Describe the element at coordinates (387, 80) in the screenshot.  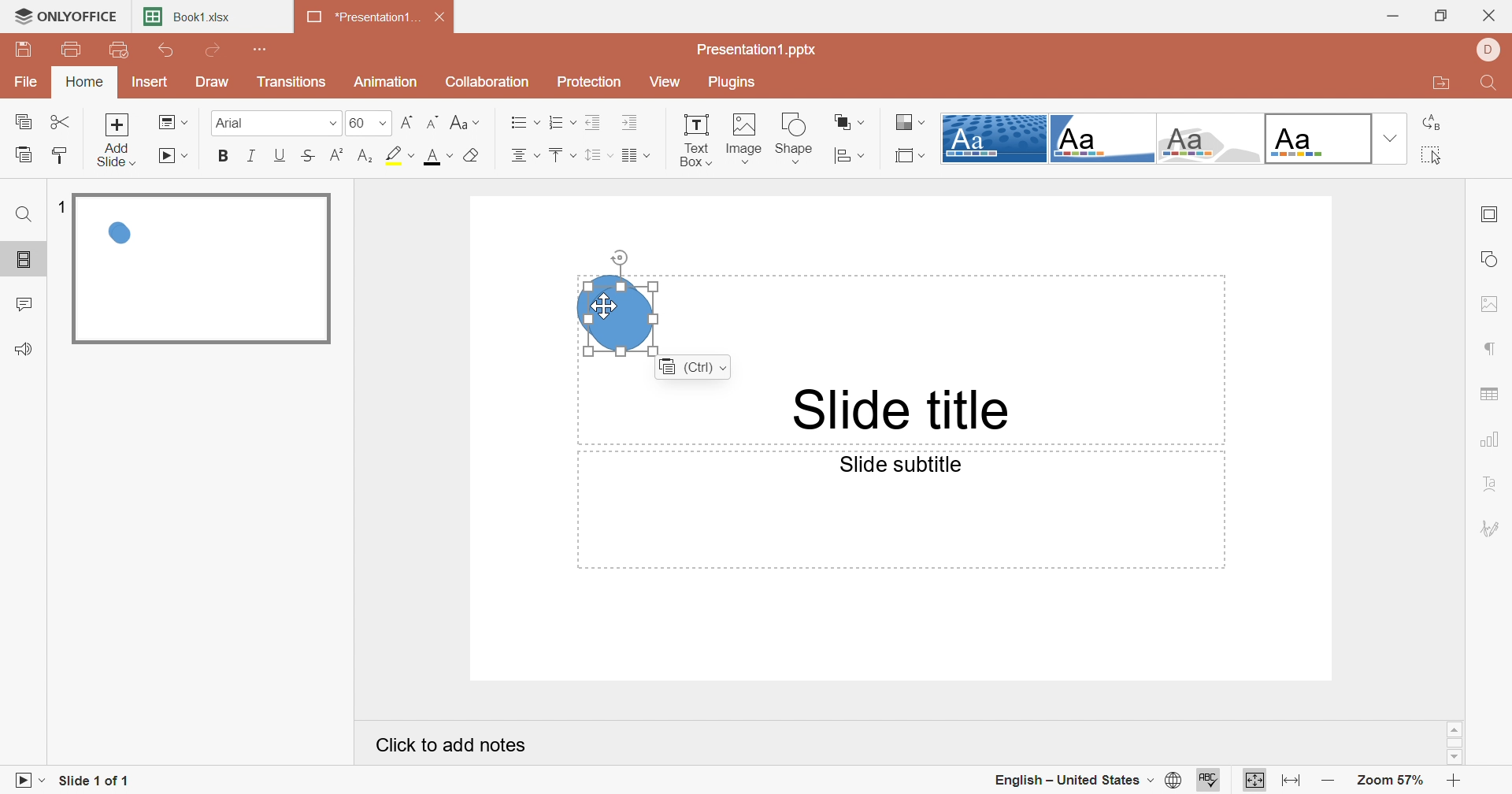
I see `Animation` at that location.